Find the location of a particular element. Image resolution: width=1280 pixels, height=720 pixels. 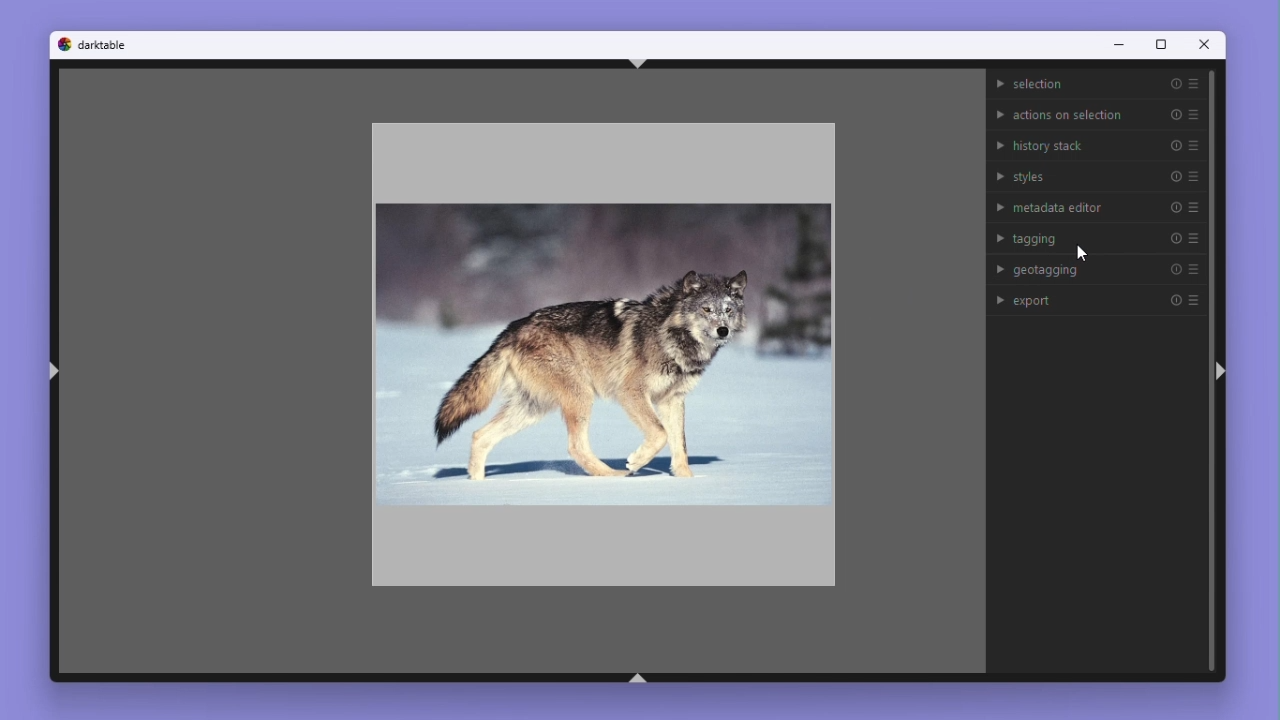

cursor is located at coordinates (1085, 252).